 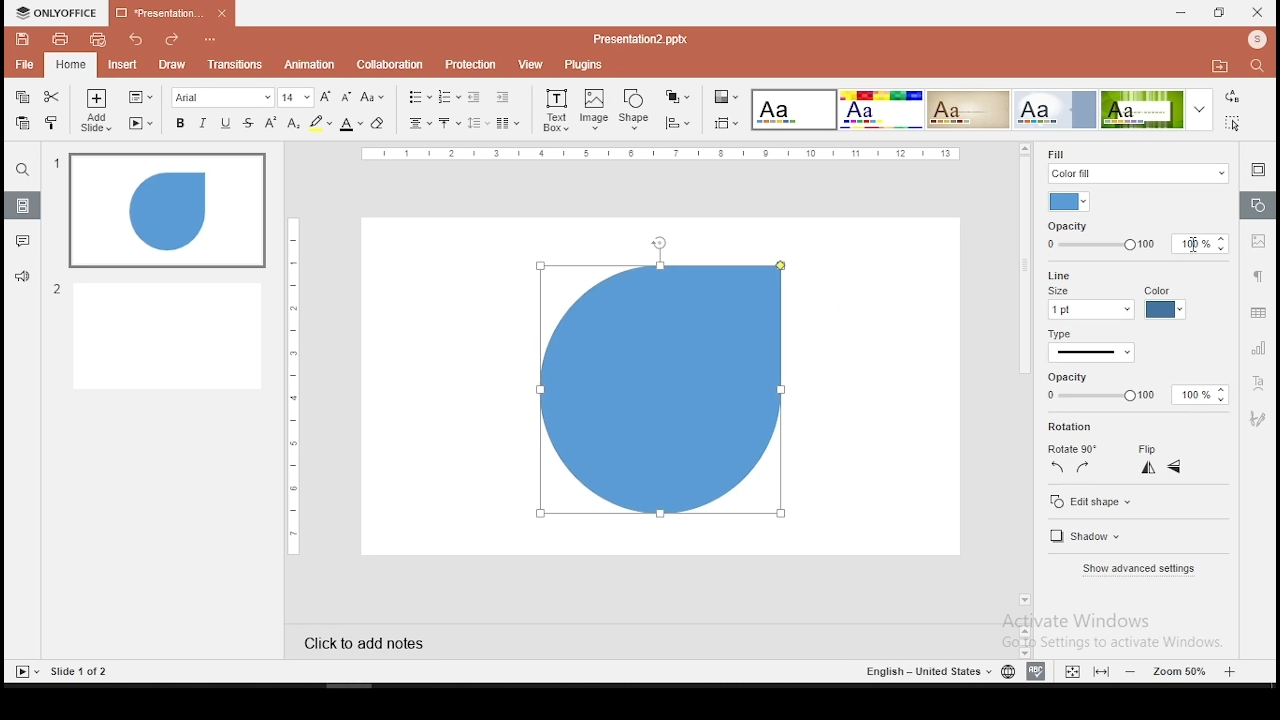 What do you see at coordinates (1101, 672) in the screenshot?
I see `fit to slide` at bounding box center [1101, 672].